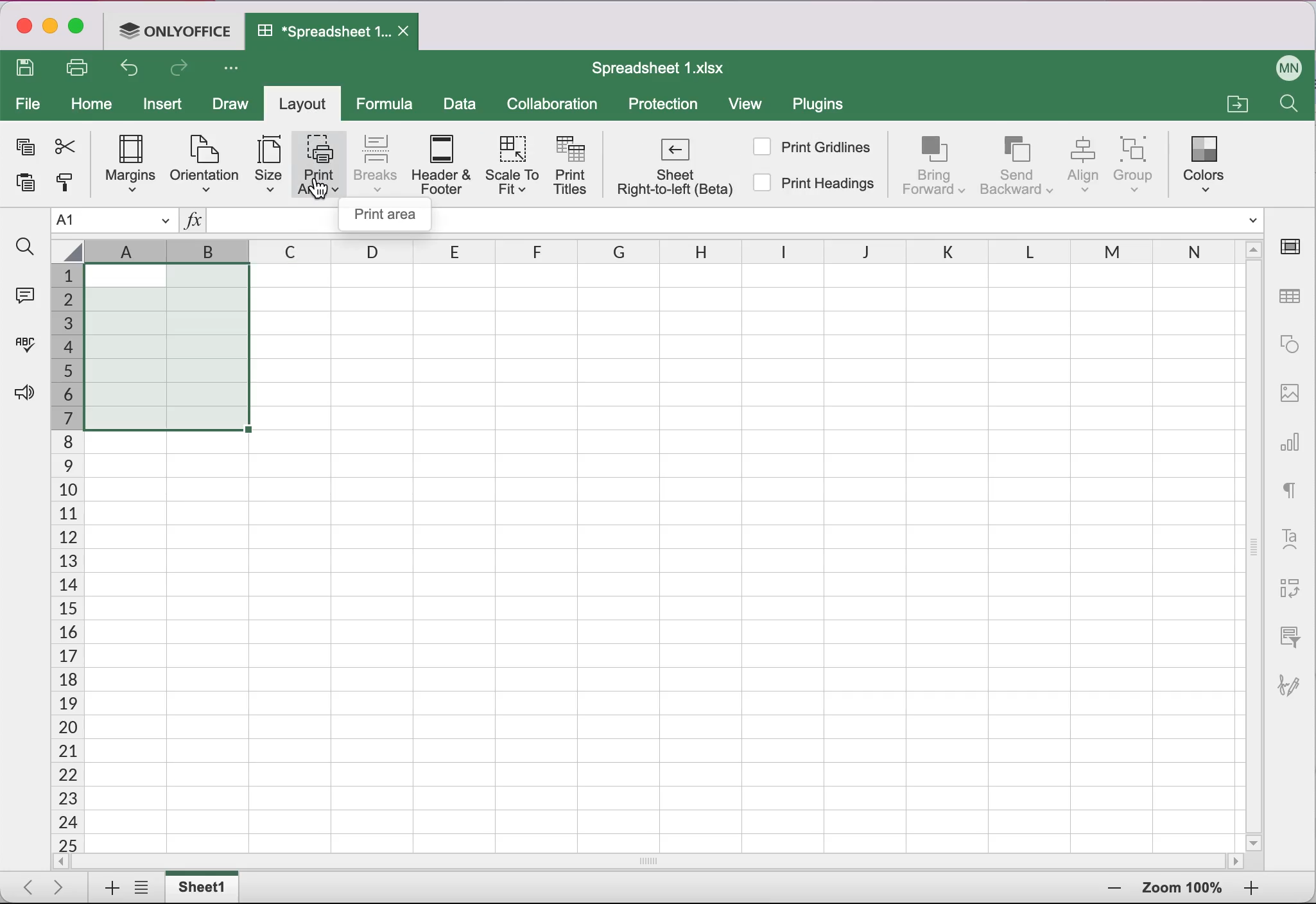  Describe the element at coordinates (193, 223) in the screenshot. I see `Insert function` at that location.